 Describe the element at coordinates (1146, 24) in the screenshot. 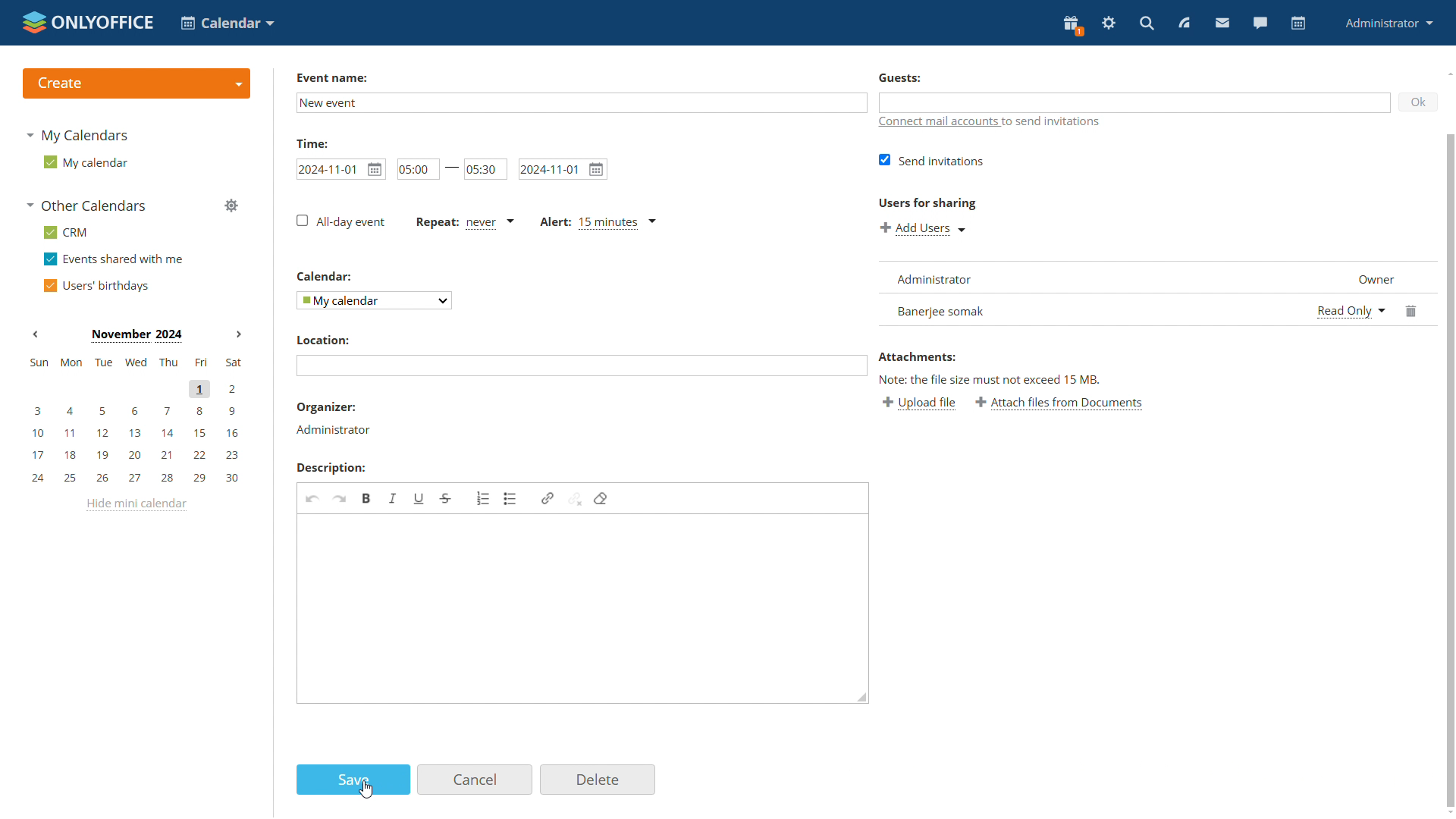

I see `search` at that location.